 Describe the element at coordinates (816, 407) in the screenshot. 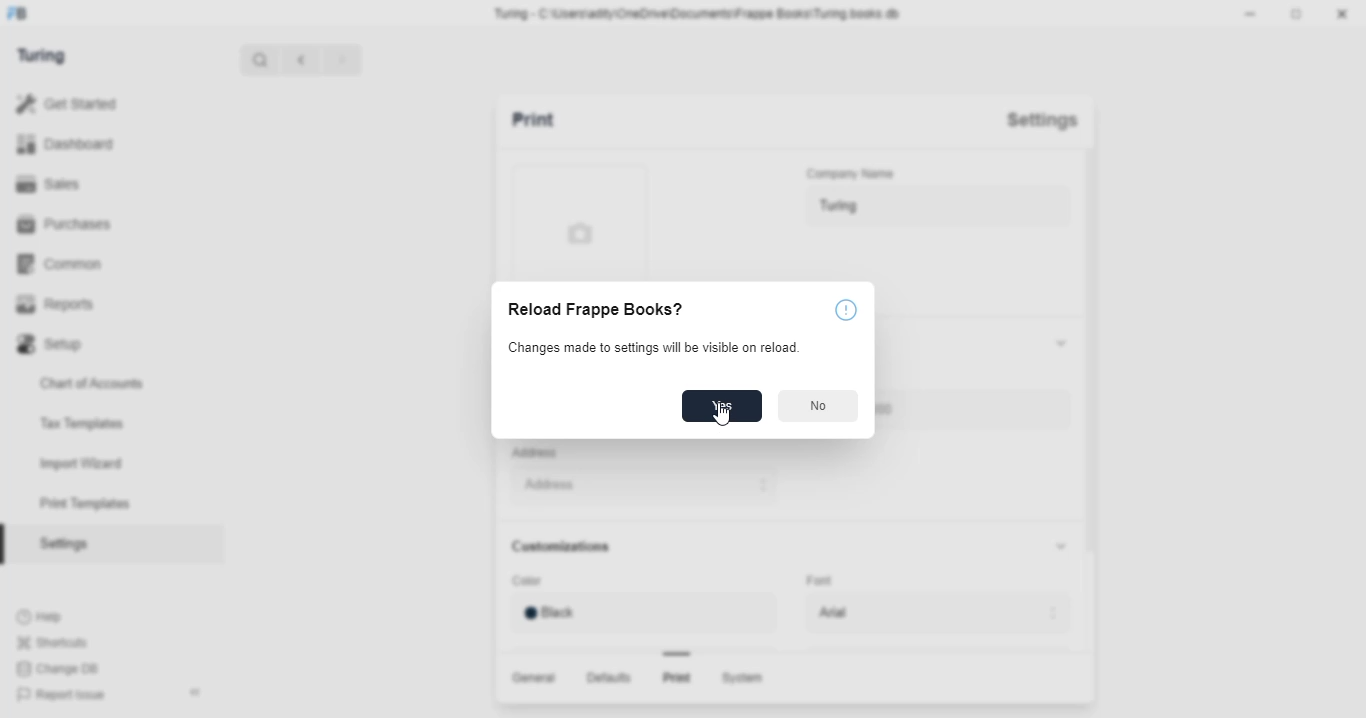

I see `No` at that location.